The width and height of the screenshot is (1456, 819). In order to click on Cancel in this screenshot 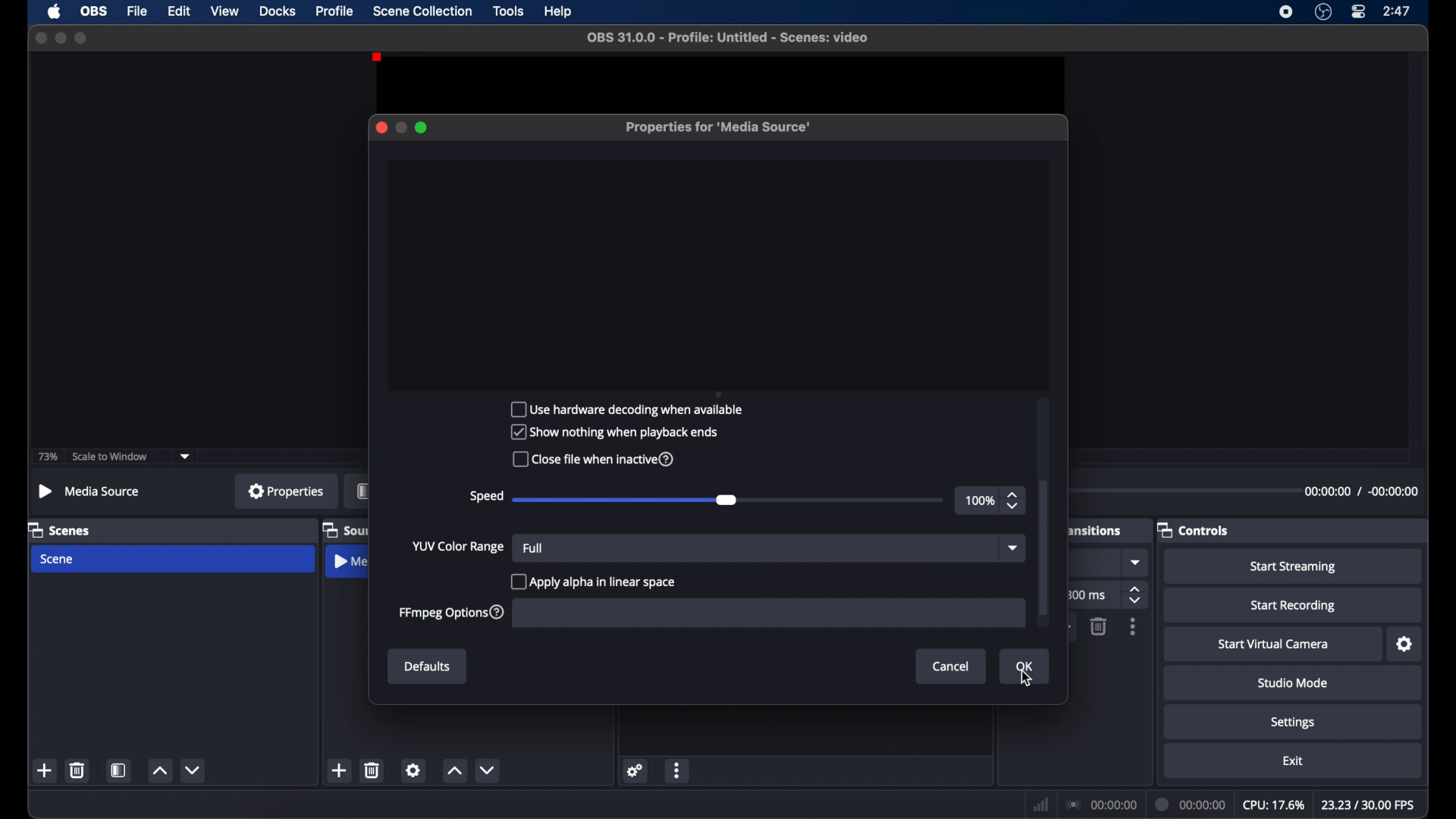, I will do `click(949, 666)`.